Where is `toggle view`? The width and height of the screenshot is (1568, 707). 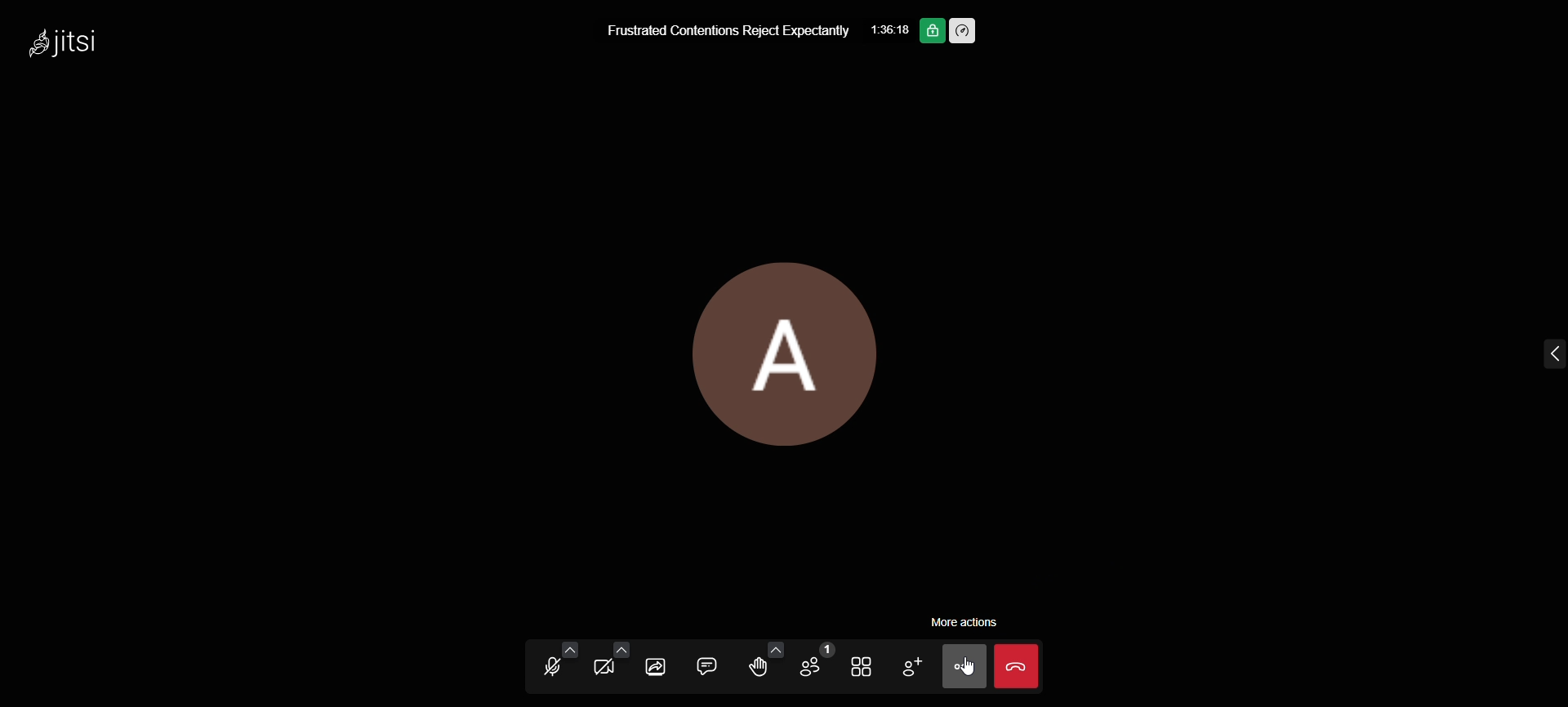 toggle view is located at coordinates (861, 666).